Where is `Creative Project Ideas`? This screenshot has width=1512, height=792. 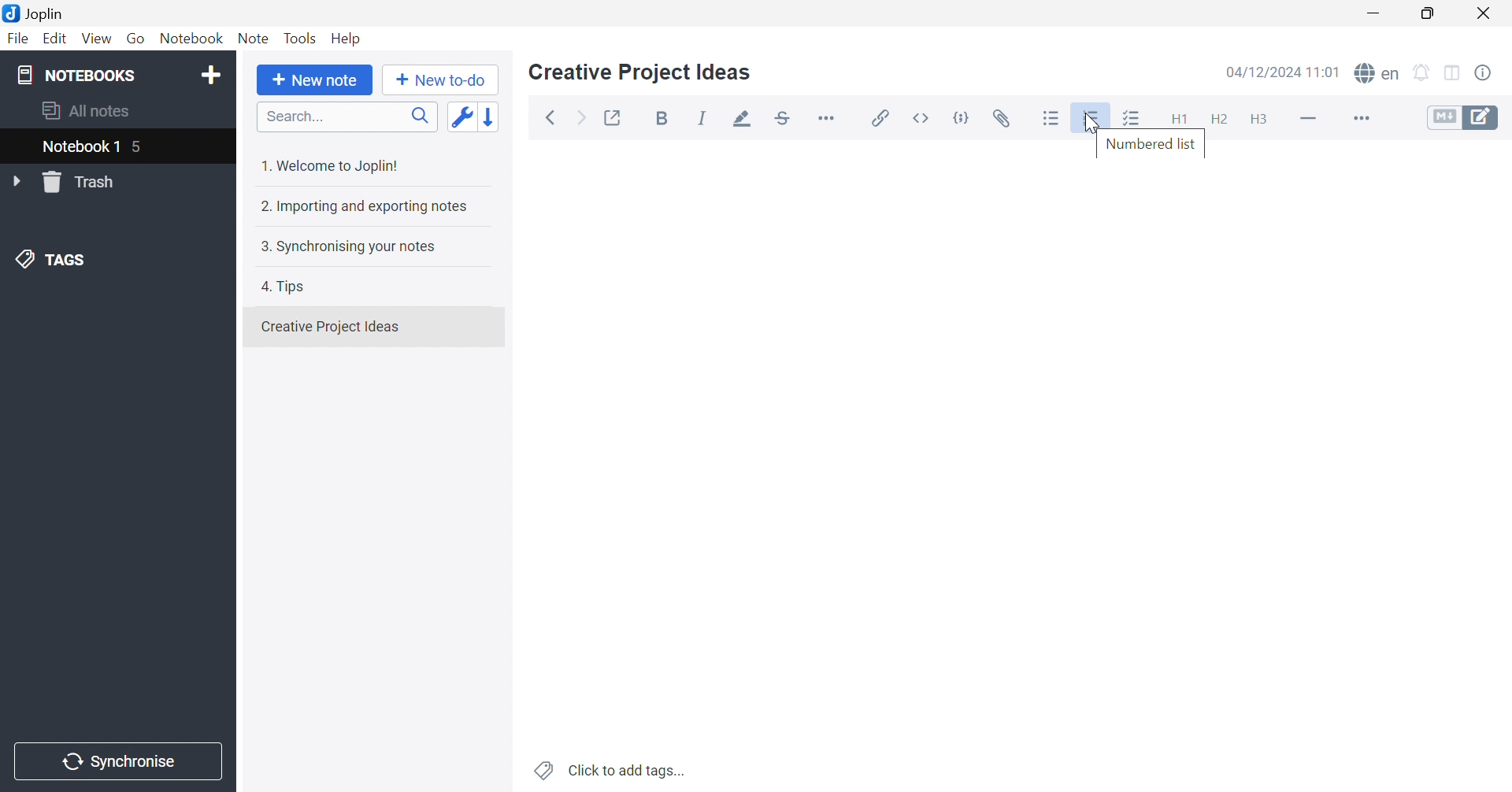
Creative Project Ideas is located at coordinates (639, 72).